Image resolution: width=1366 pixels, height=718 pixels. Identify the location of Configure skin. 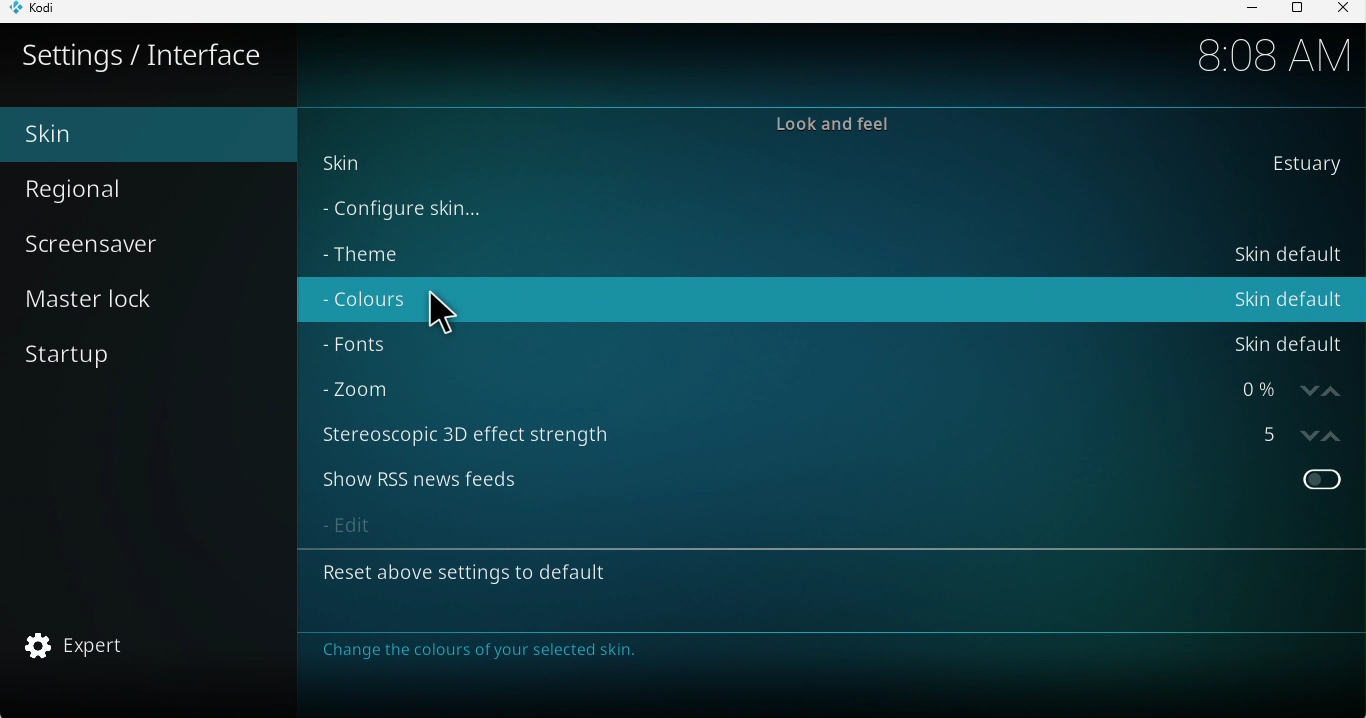
(783, 208).